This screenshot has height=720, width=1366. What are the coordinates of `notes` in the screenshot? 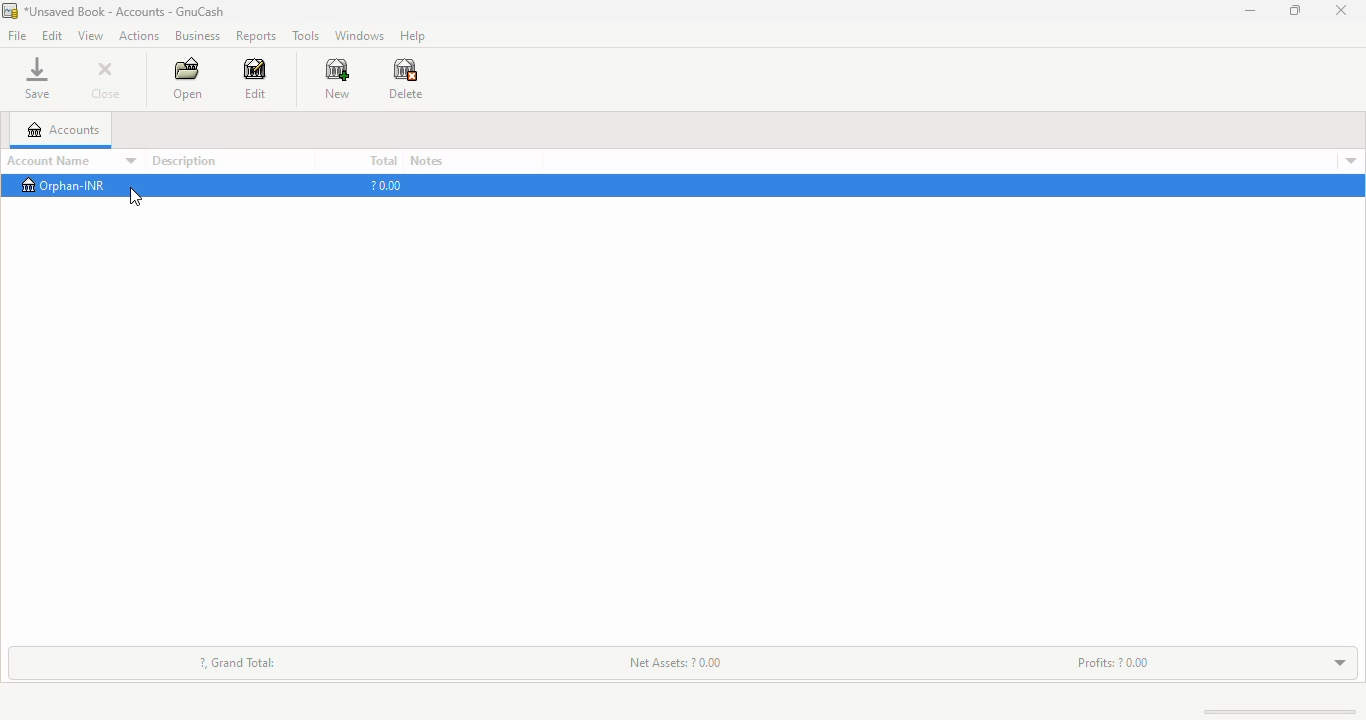 It's located at (427, 160).